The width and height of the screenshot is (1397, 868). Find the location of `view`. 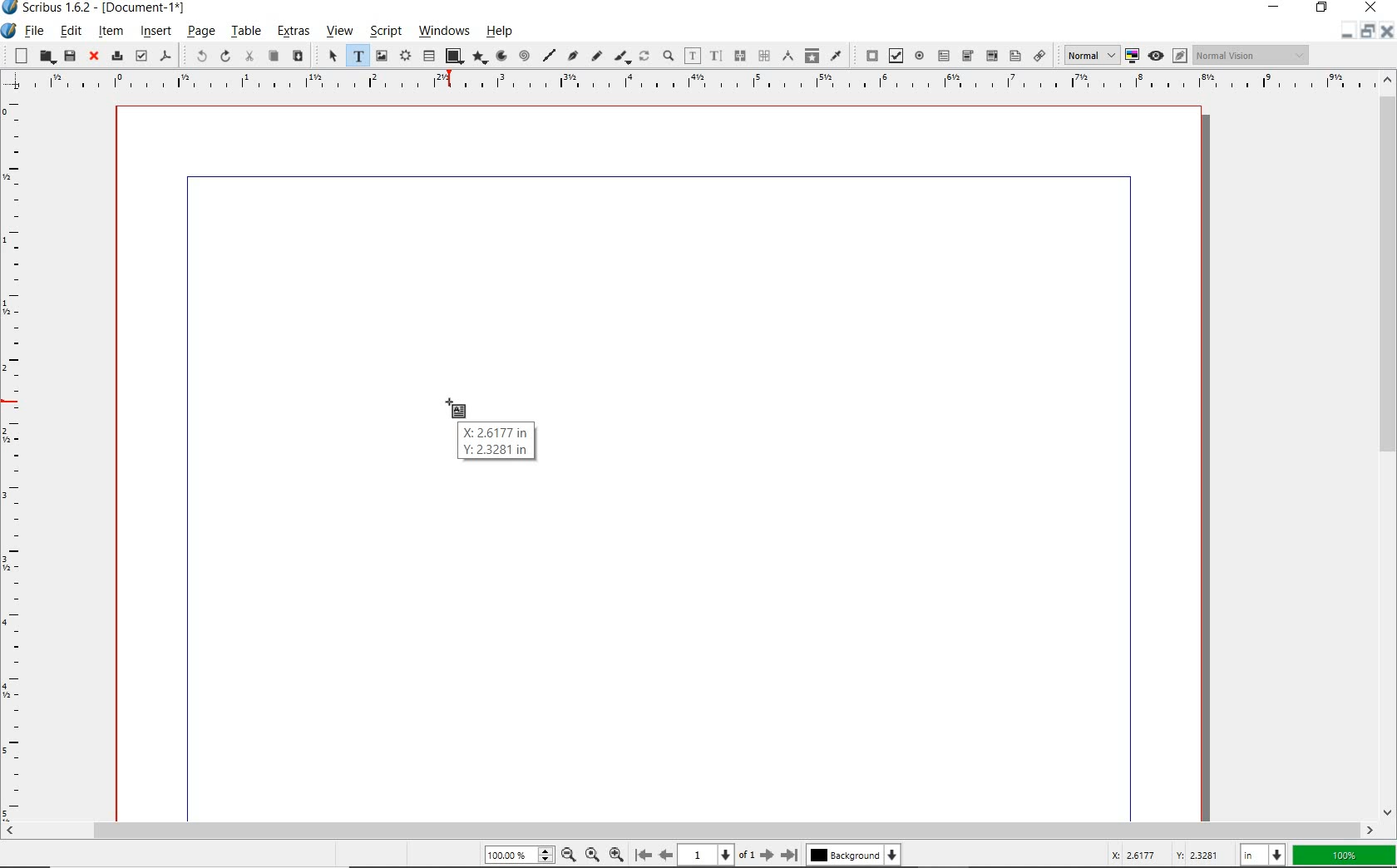

view is located at coordinates (342, 32).